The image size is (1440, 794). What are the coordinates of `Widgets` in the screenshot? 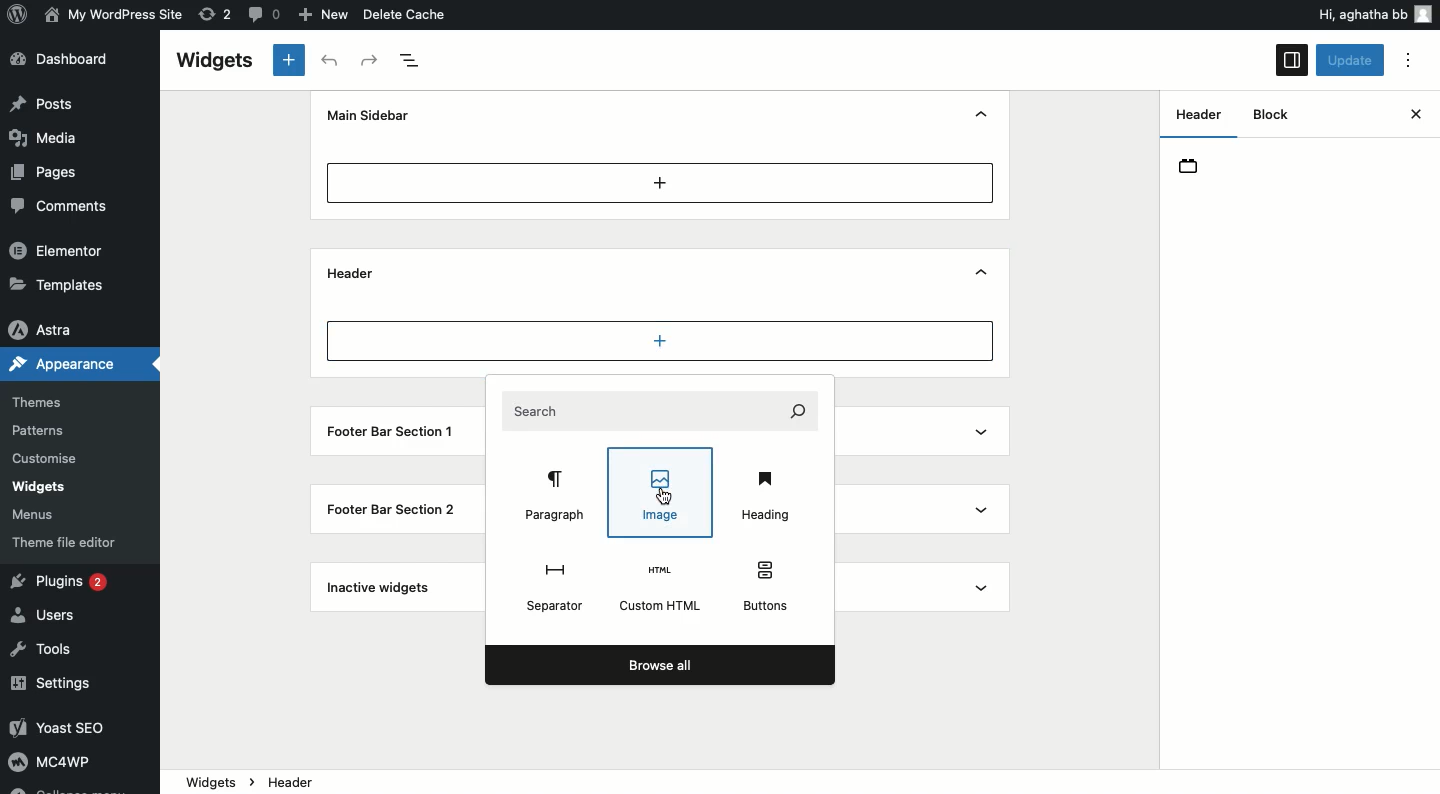 It's located at (38, 487).